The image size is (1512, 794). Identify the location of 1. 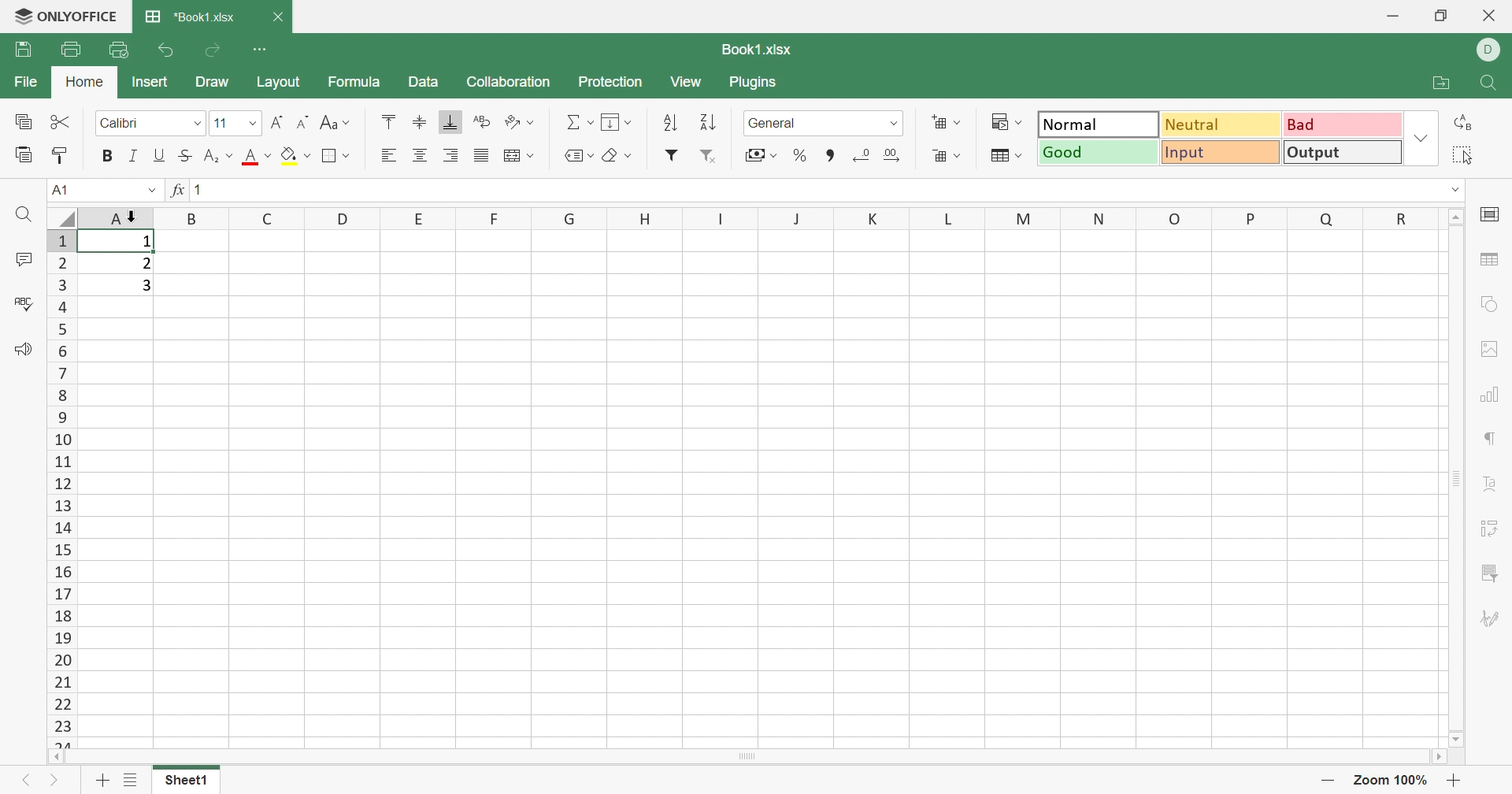
(146, 242).